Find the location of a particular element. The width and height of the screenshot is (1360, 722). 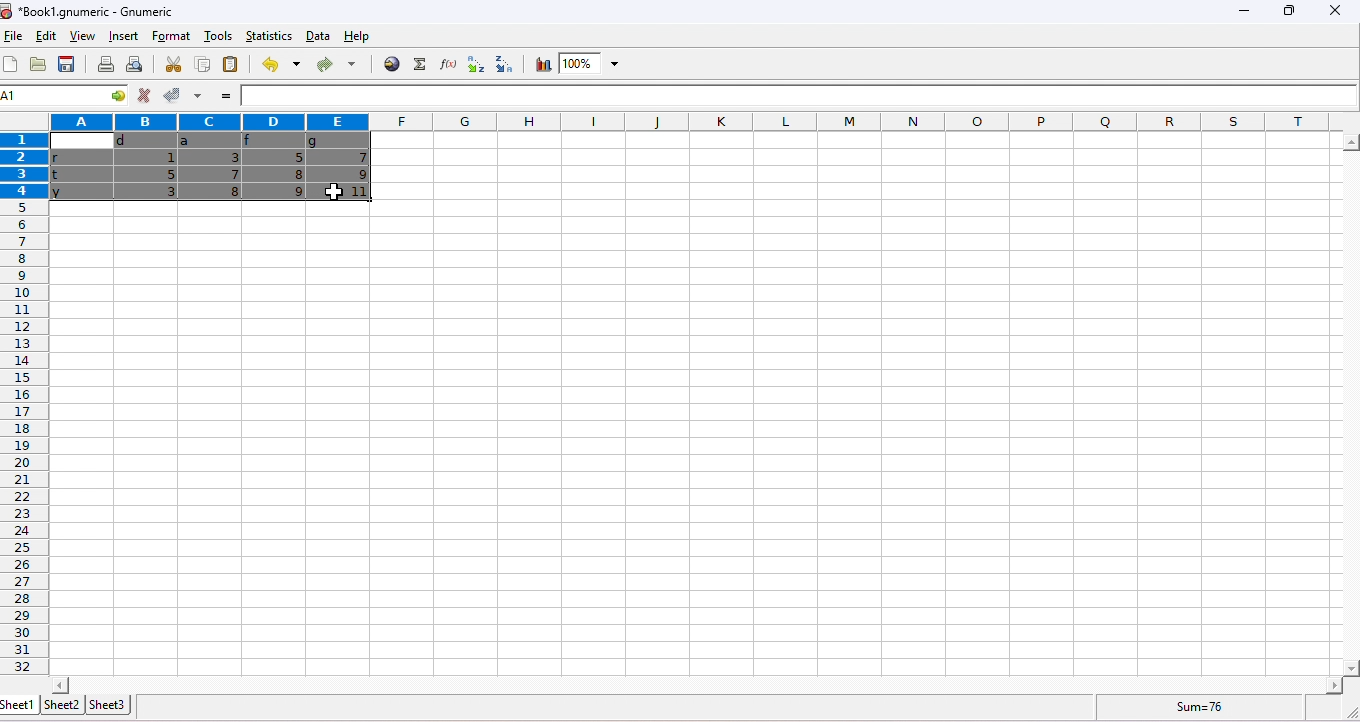

accept changes is located at coordinates (168, 94).